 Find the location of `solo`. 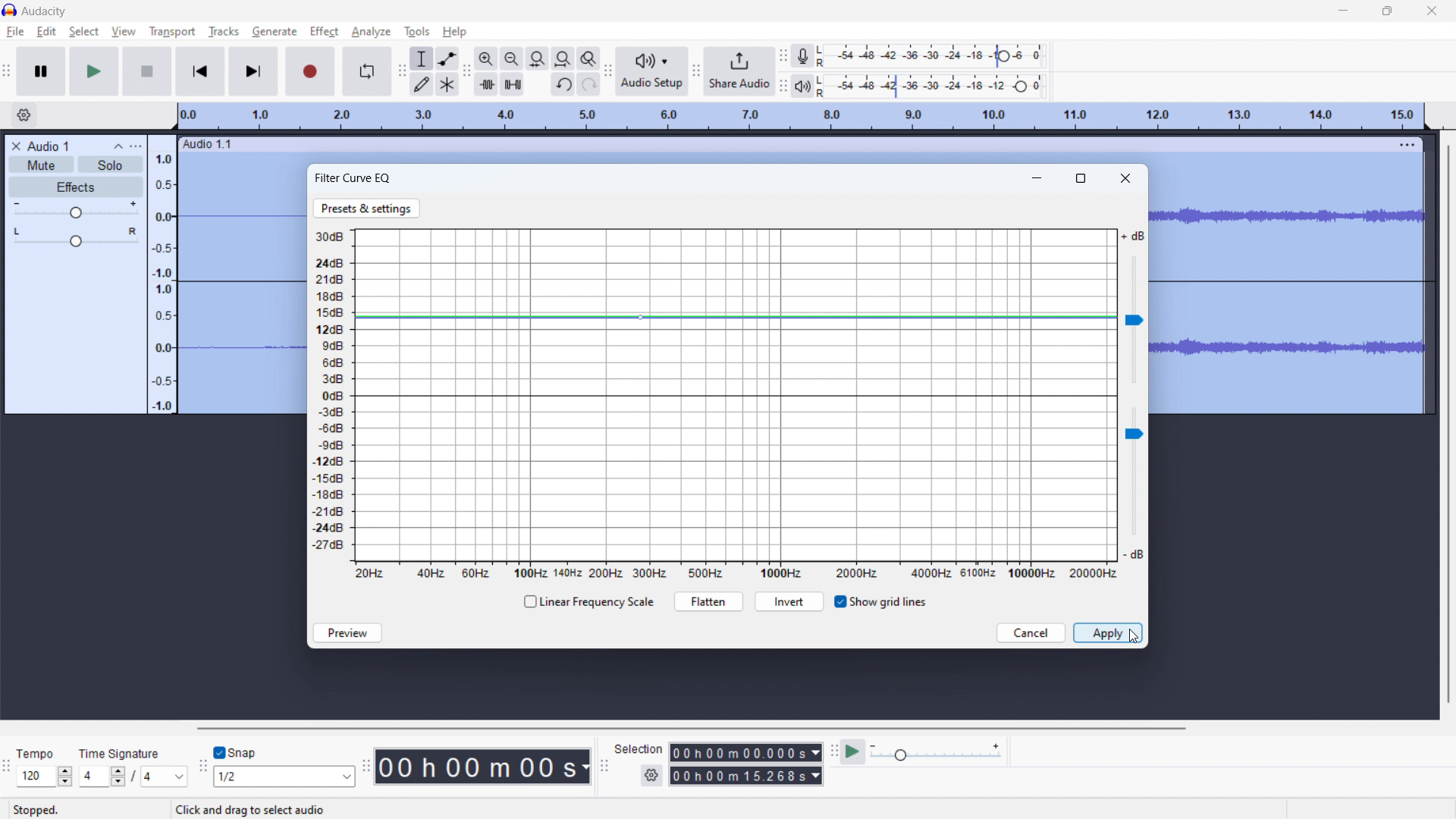

solo is located at coordinates (110, 165).